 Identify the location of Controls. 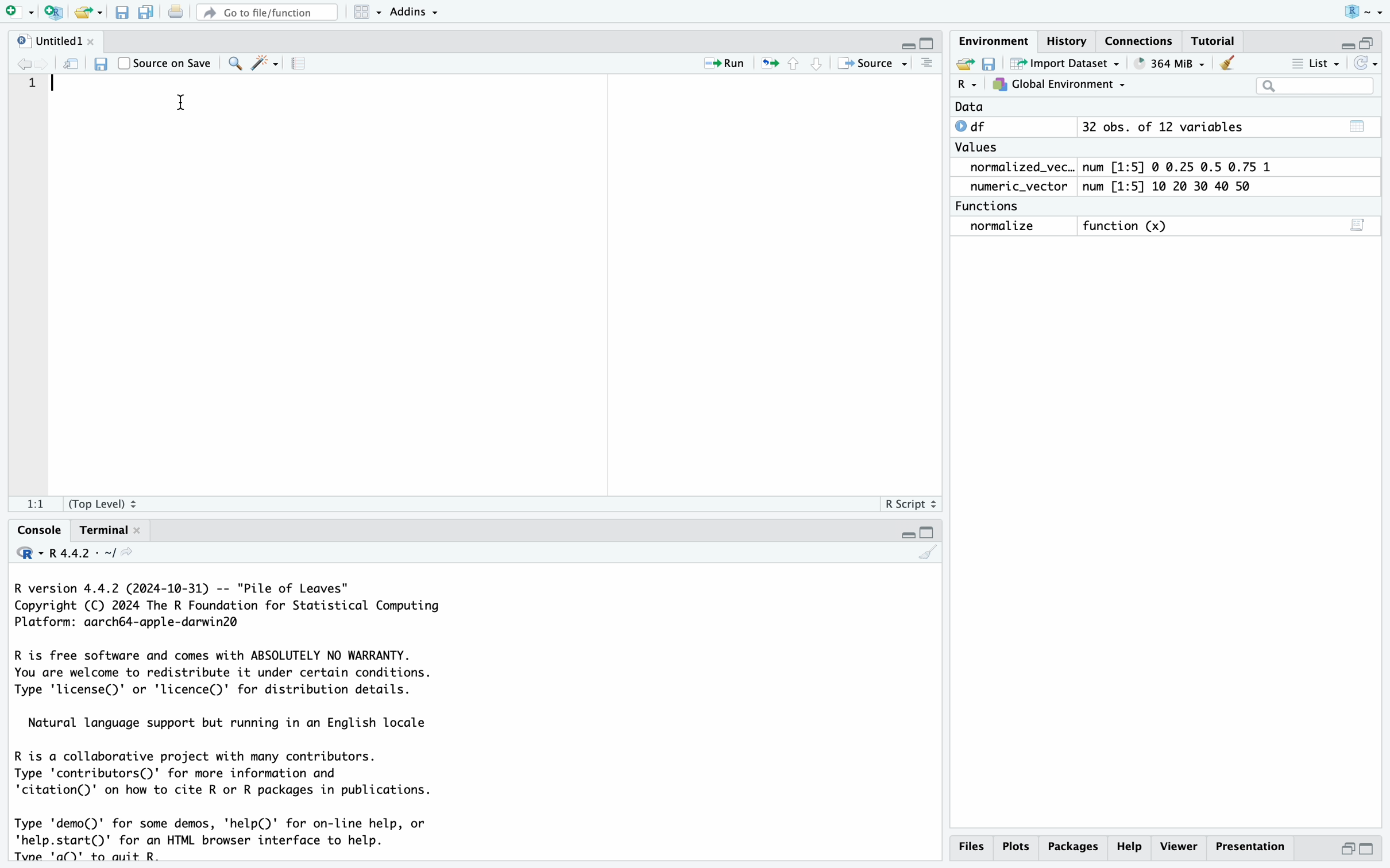
(793, 63).